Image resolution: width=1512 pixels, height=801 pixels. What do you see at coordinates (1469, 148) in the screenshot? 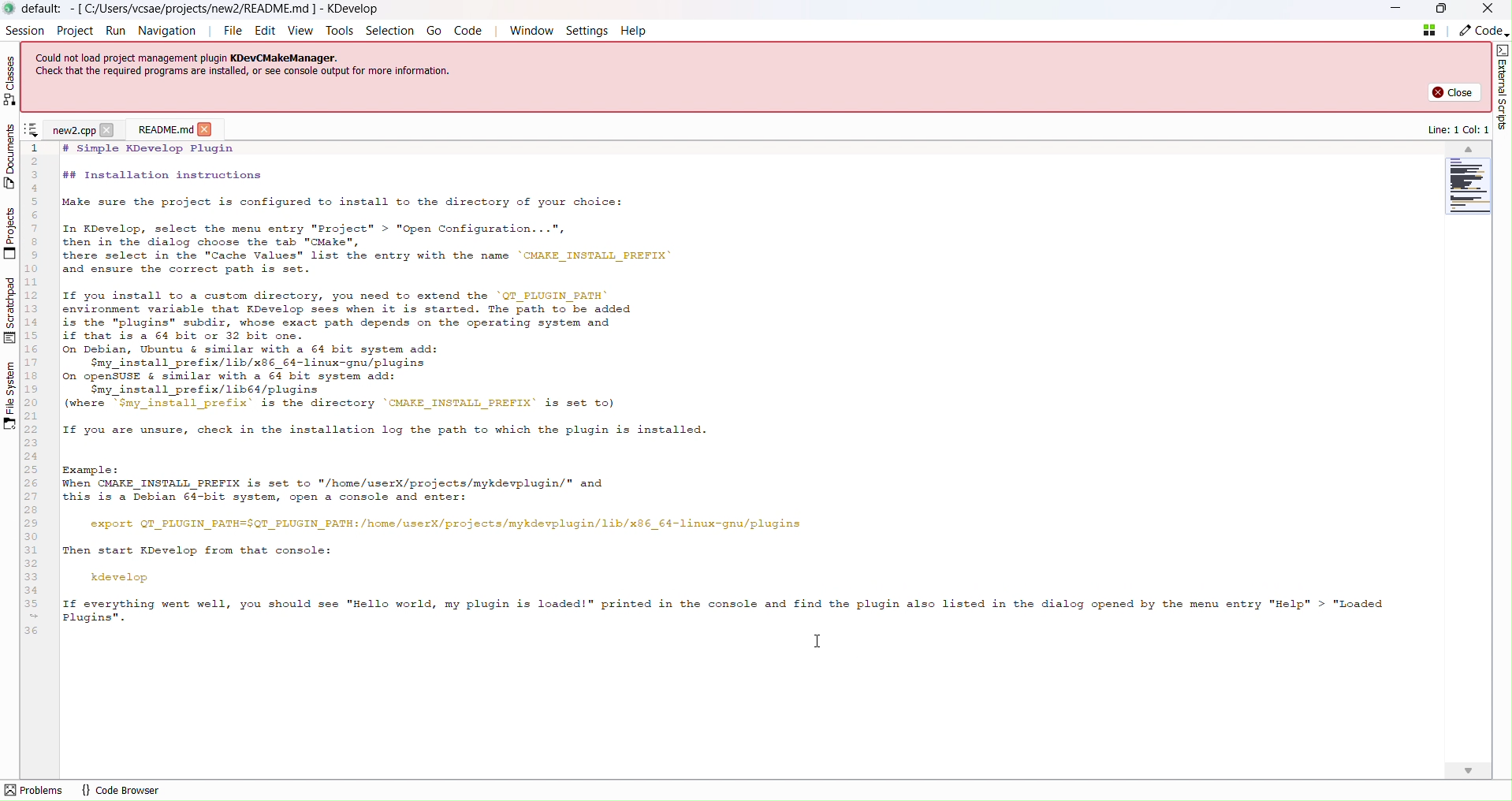
I see `scroll up` at bounding box center [1469, 148].